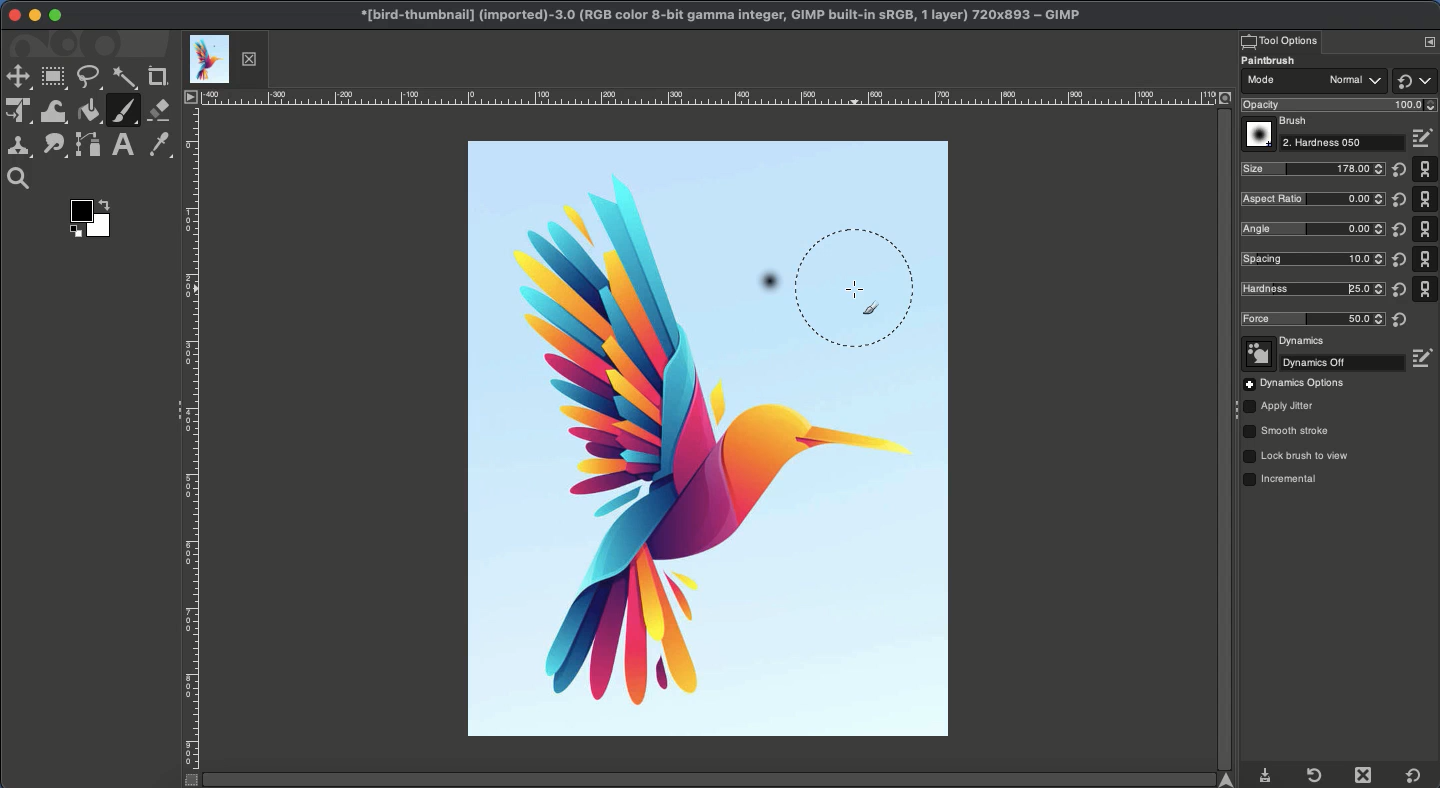 Image resolution: width=1440 pixels, height=788 pixels. I want to click on Move tool, so click(17, 78).